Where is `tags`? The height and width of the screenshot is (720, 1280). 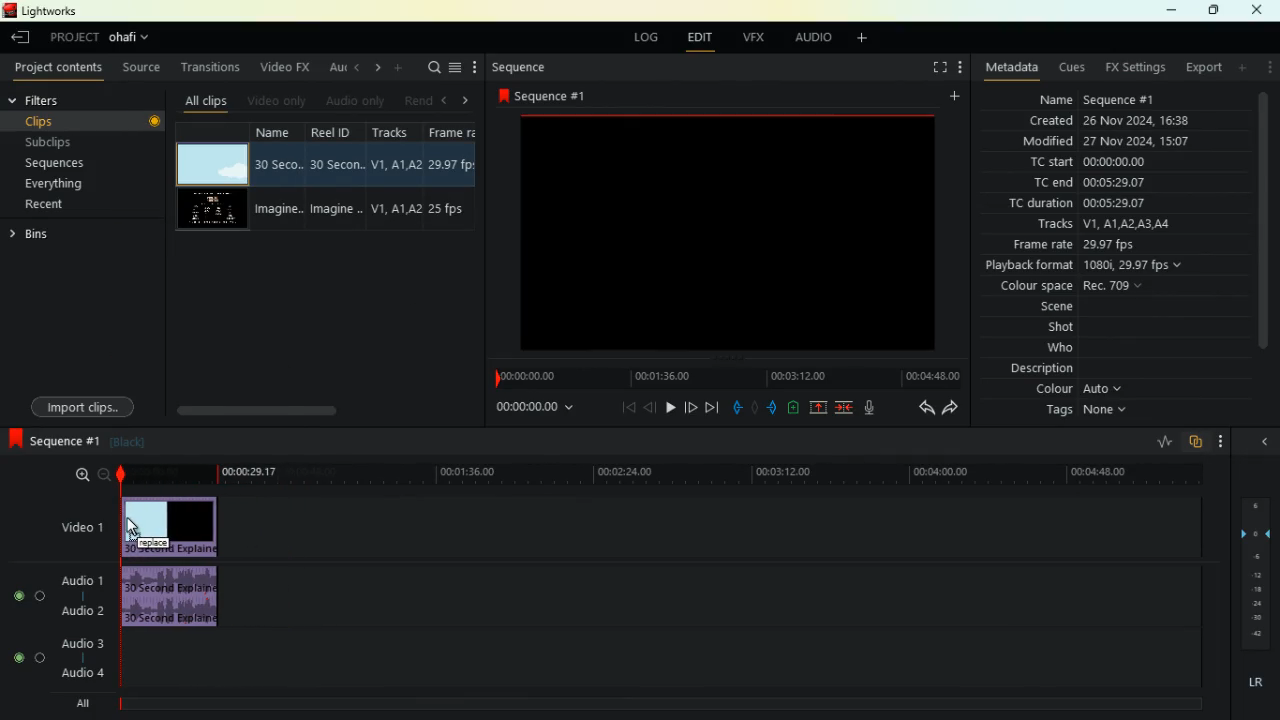 tags is located at coordinates (1081, 413).